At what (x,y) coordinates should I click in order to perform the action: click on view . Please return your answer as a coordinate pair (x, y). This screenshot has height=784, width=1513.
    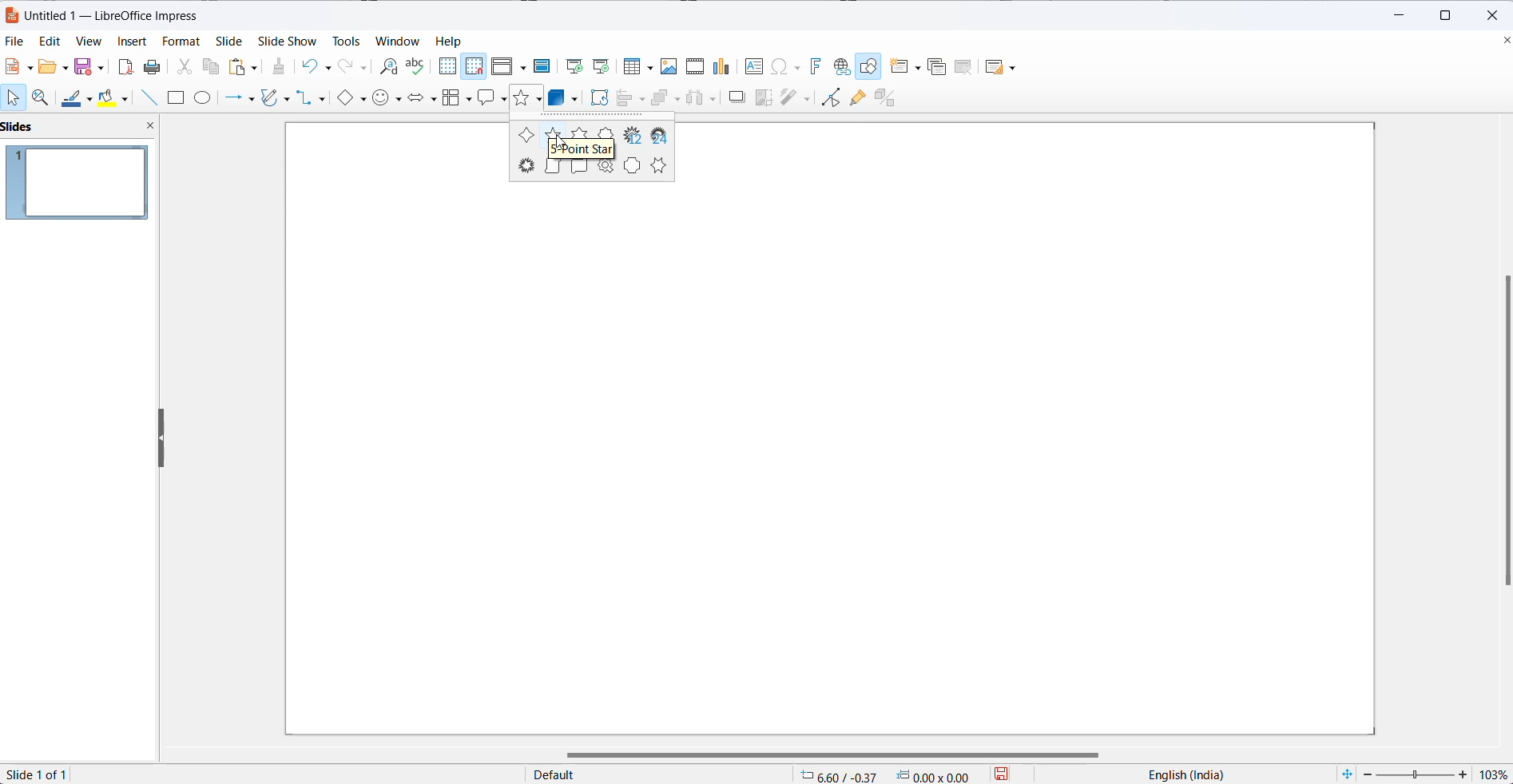
    Looking at the image, I should click on (84, 42).